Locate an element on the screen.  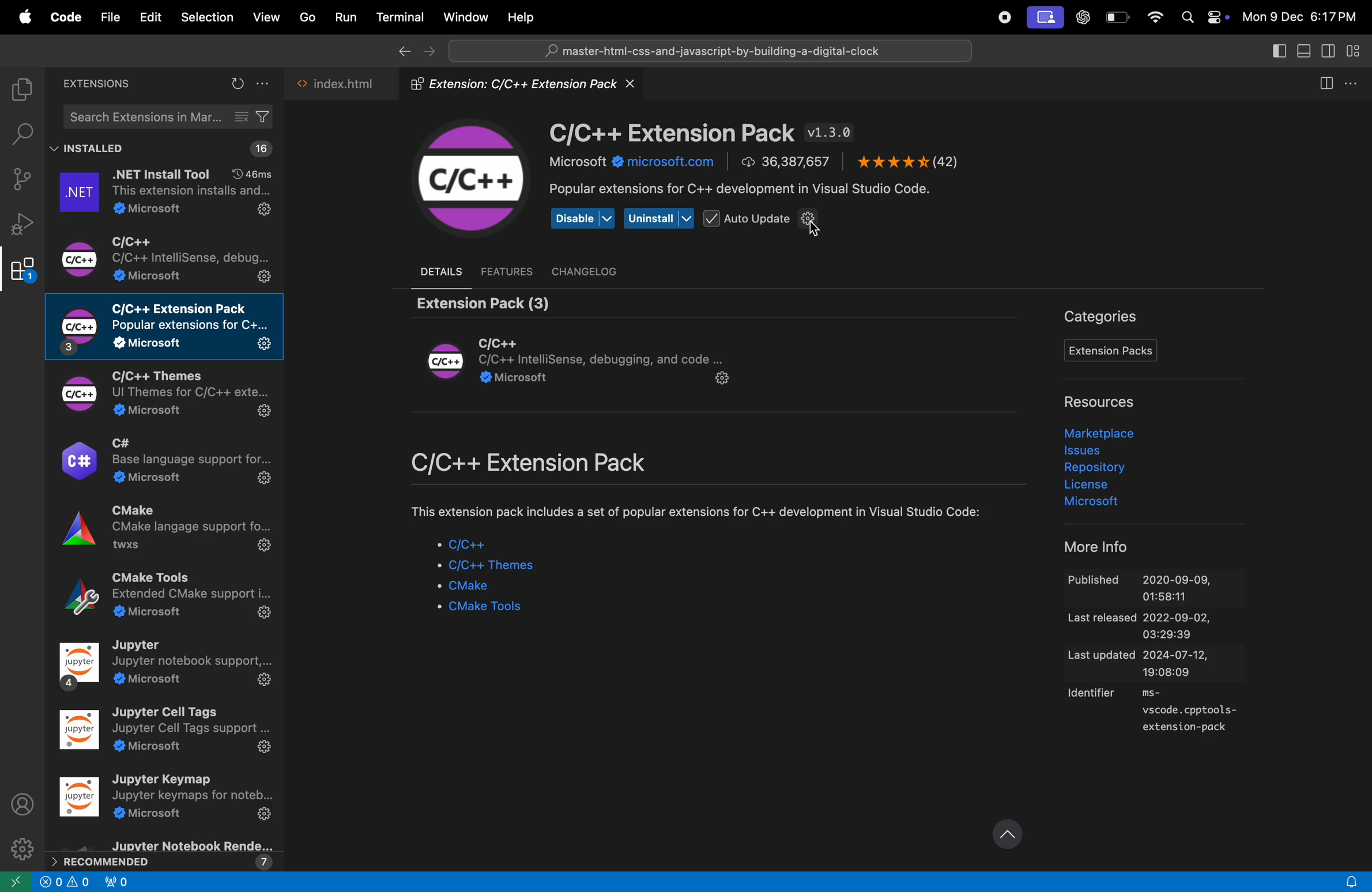
C/C++ themes is located at coordinates (159, 394).